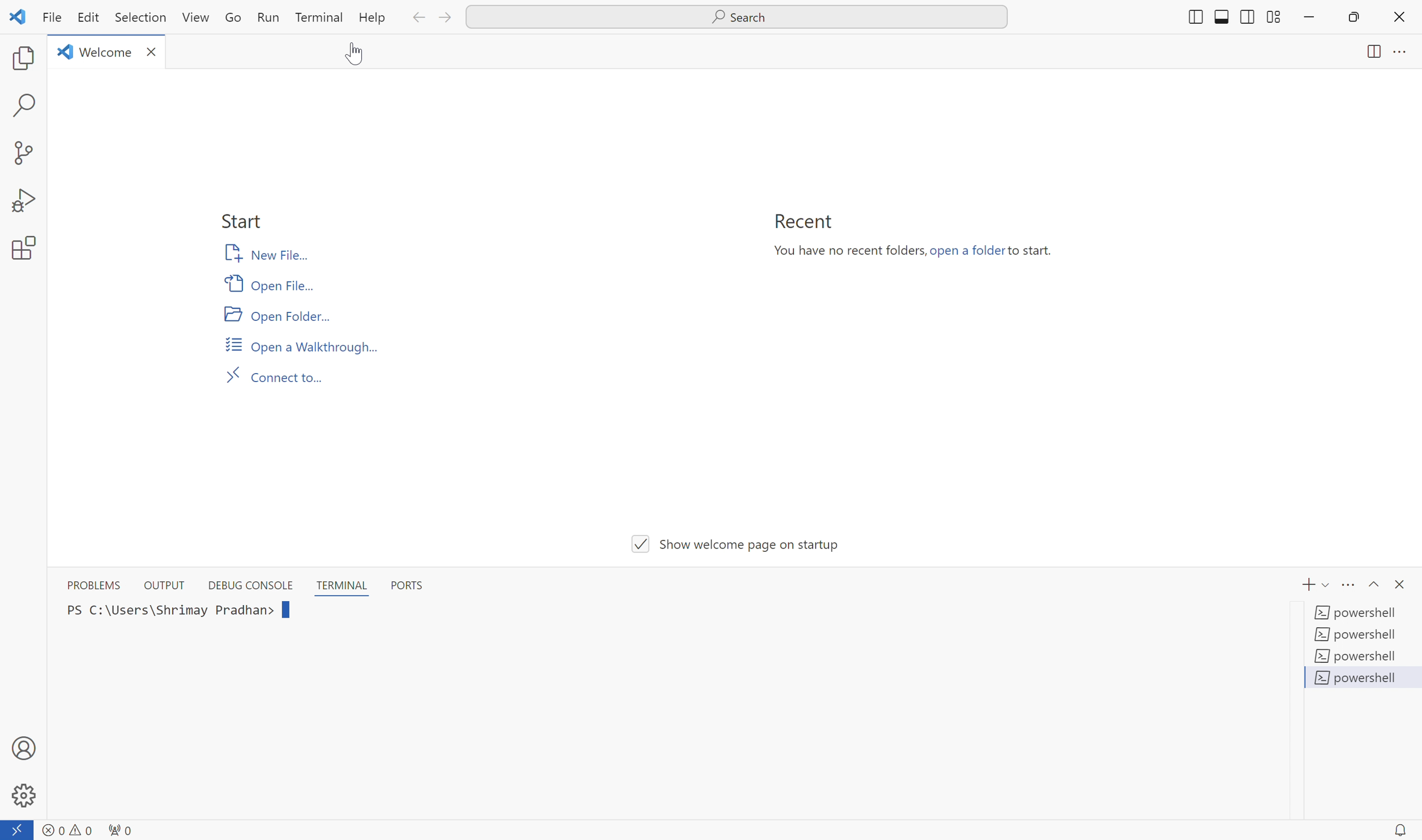 Image resolution: width=1422 pixels, height=840 pixels. Describe the element at coordinates (1399, 829) in the screenshot. I see `notification` at that location.